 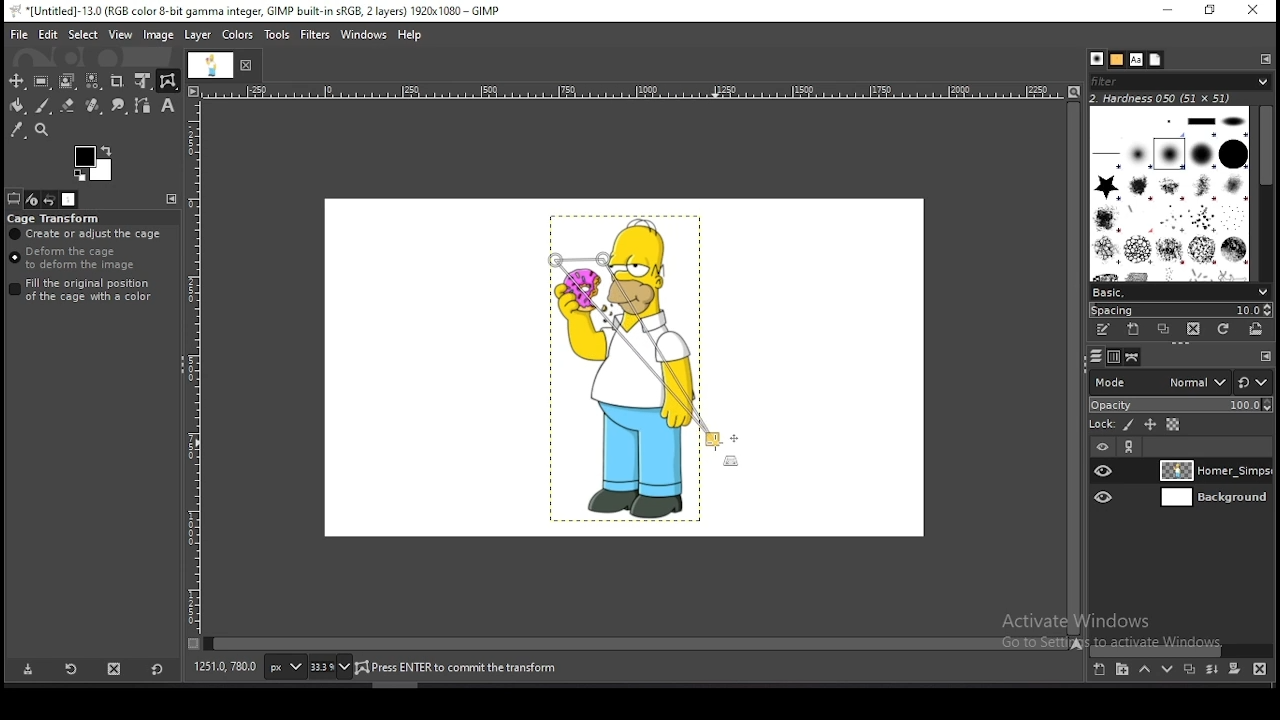 What do you see at coordinates (1145, 672) in the screenshot?
I see `move layer one step up` at bounding box center [1145, 672].